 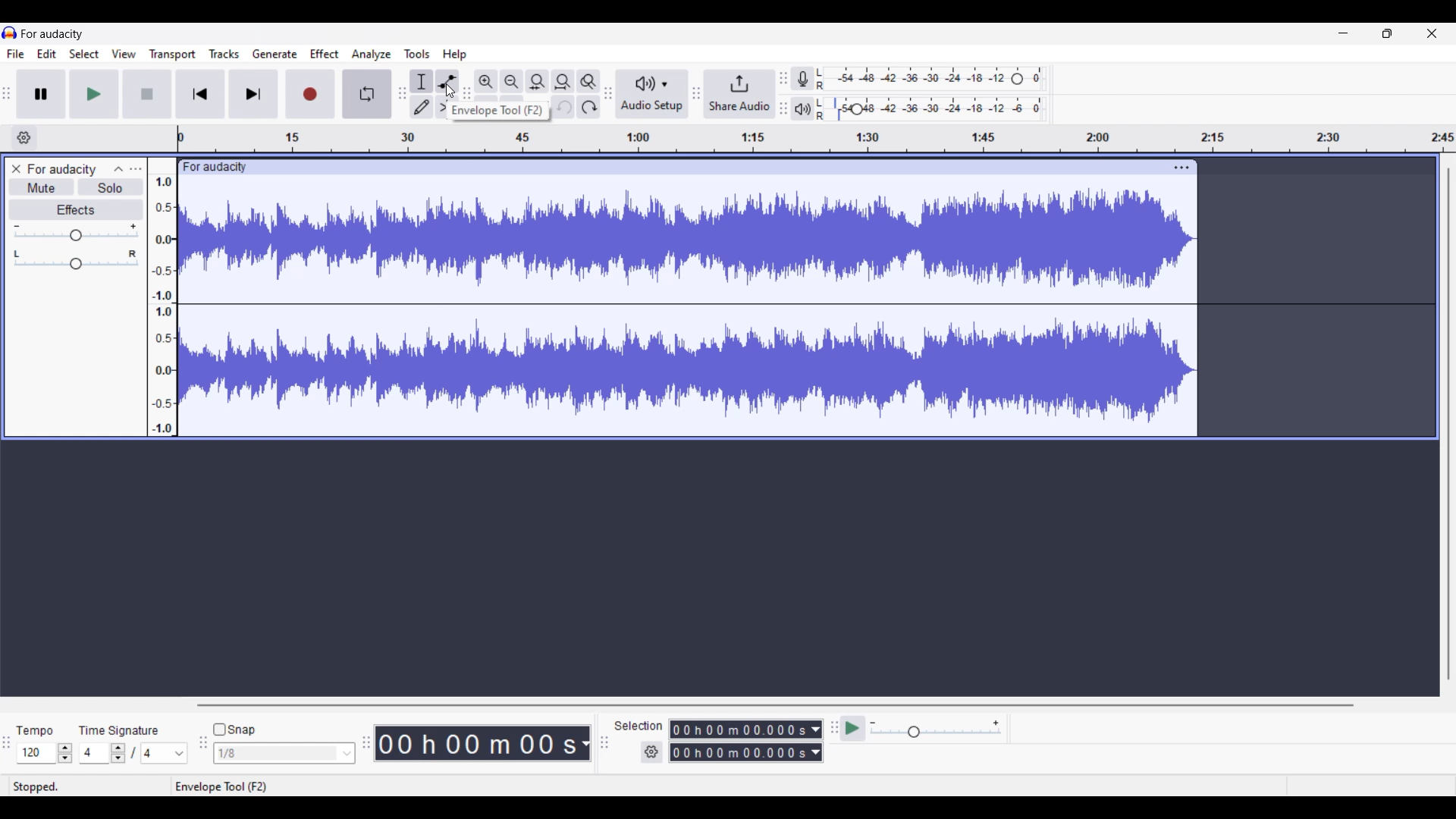 I want to click on for audacity, so click(x=62, y=169).